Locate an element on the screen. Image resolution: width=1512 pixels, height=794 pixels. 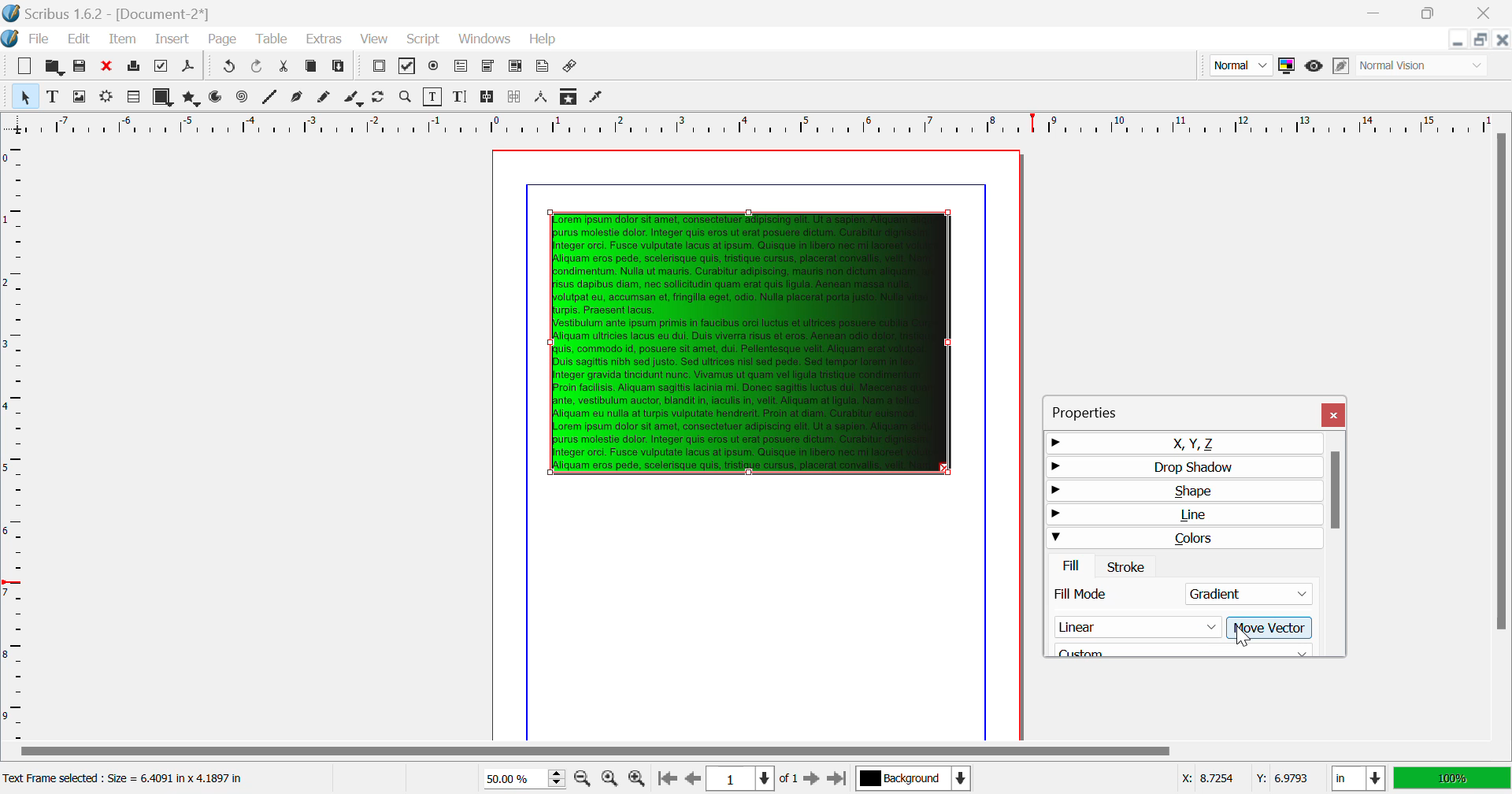
Horizontal Page Margins is located at coordinates (15, 439).